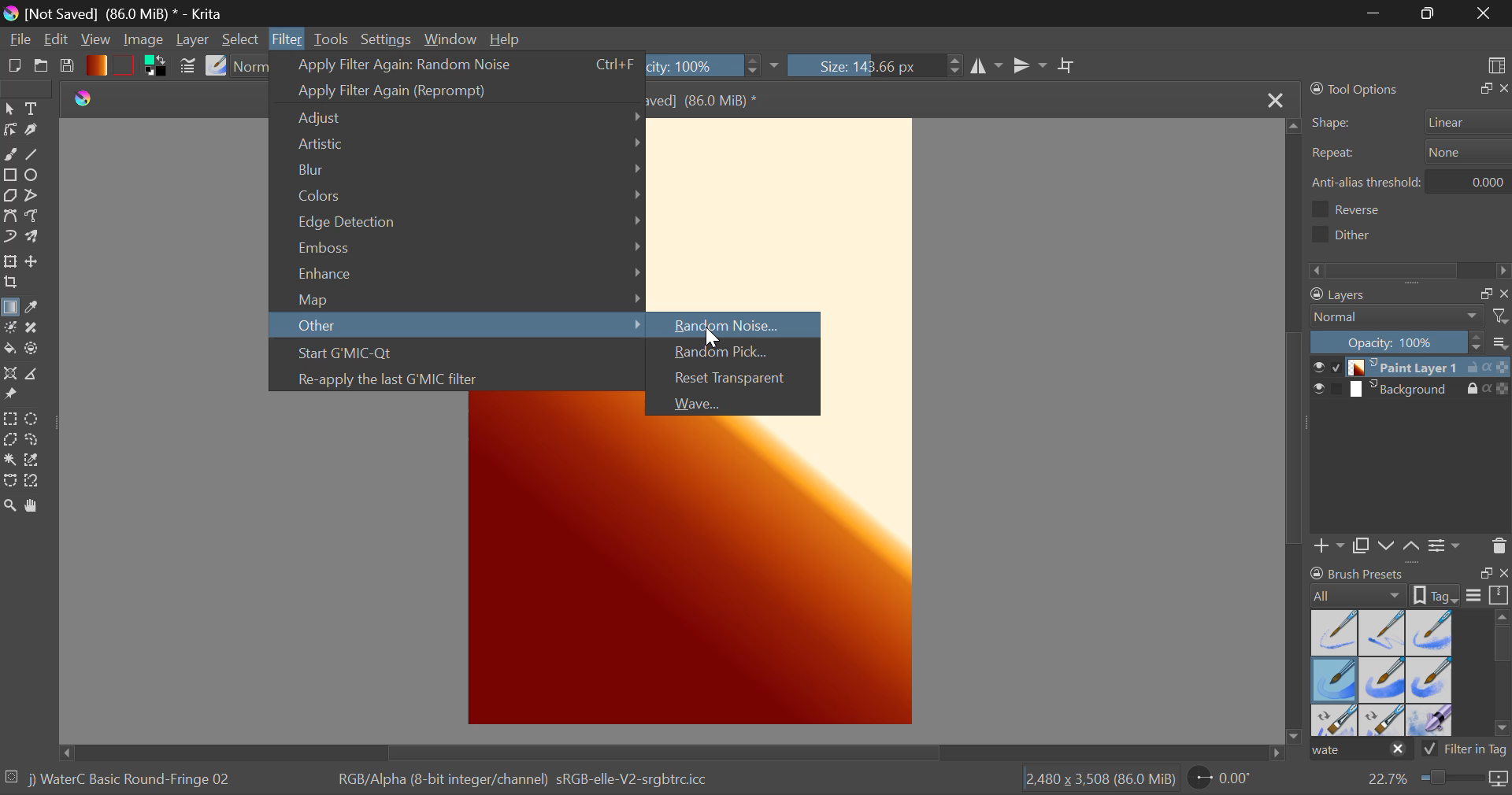 This screenshot has height=795, width=1512. Describe the element at coordinates (1503, 316) in the screenshot. I see `filter` at that location.